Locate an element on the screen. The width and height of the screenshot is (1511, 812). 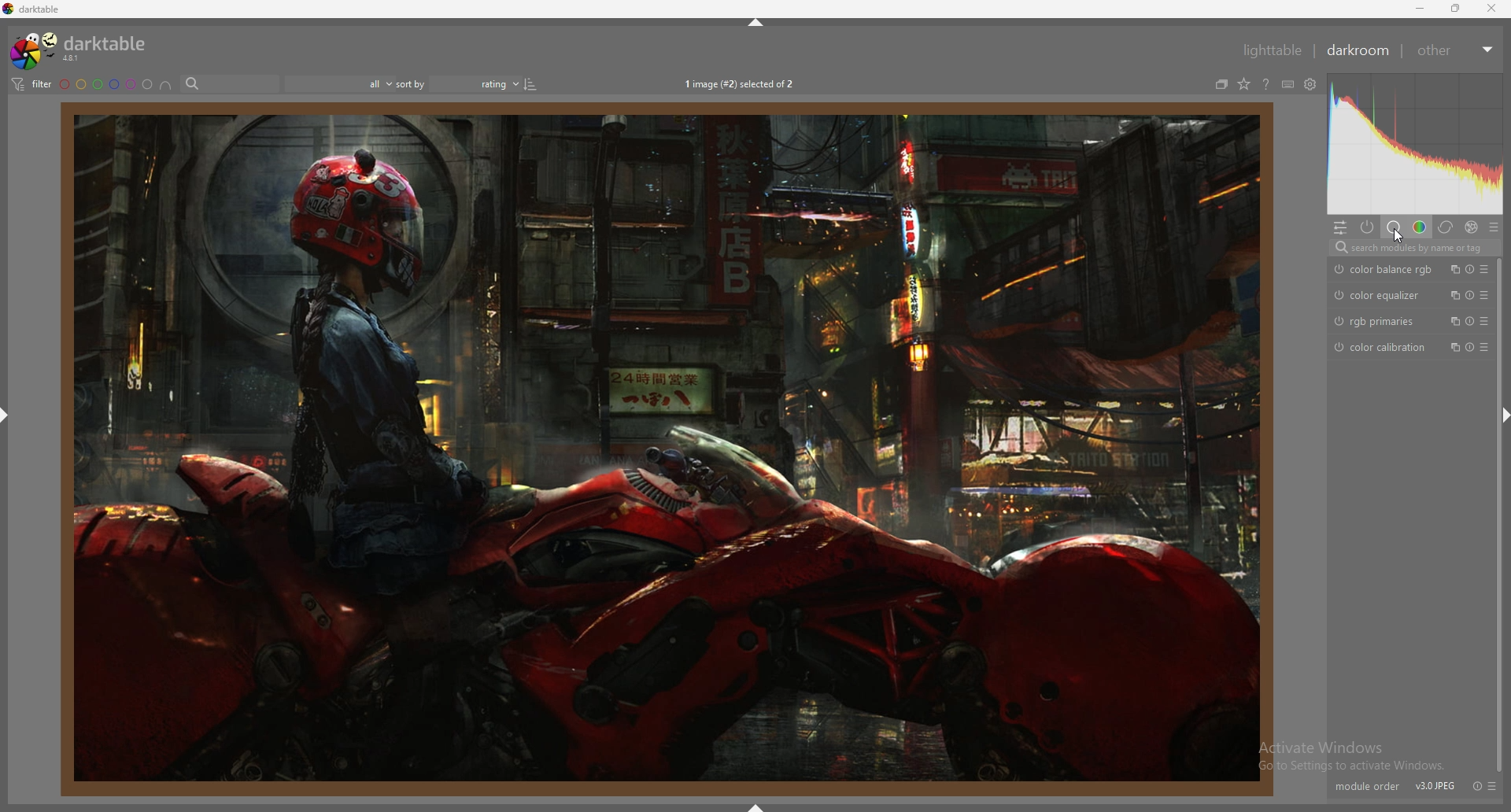
color label is located at coordinates (106, 83).